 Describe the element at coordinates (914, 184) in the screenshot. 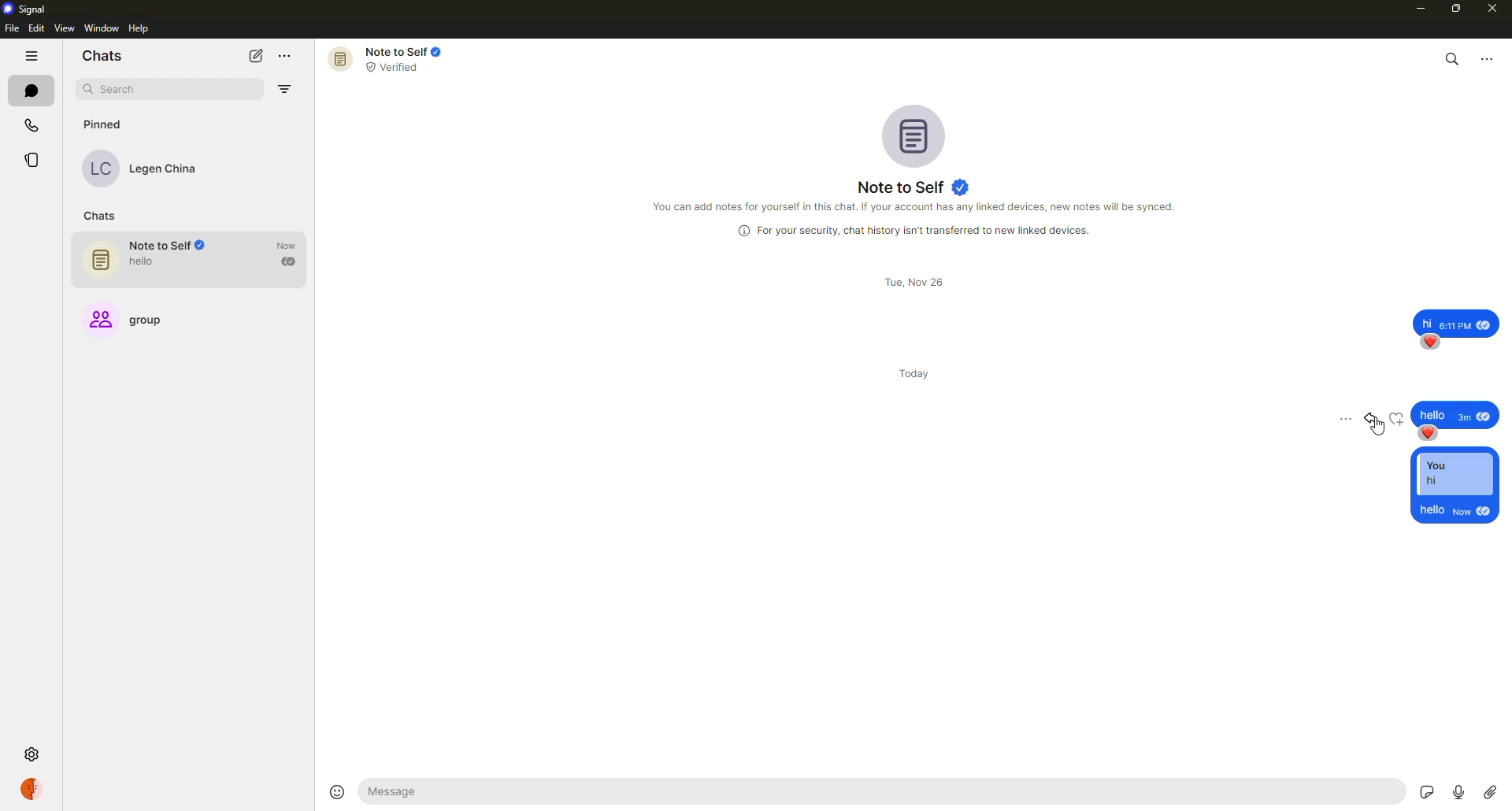

I see `note to self` at that location.